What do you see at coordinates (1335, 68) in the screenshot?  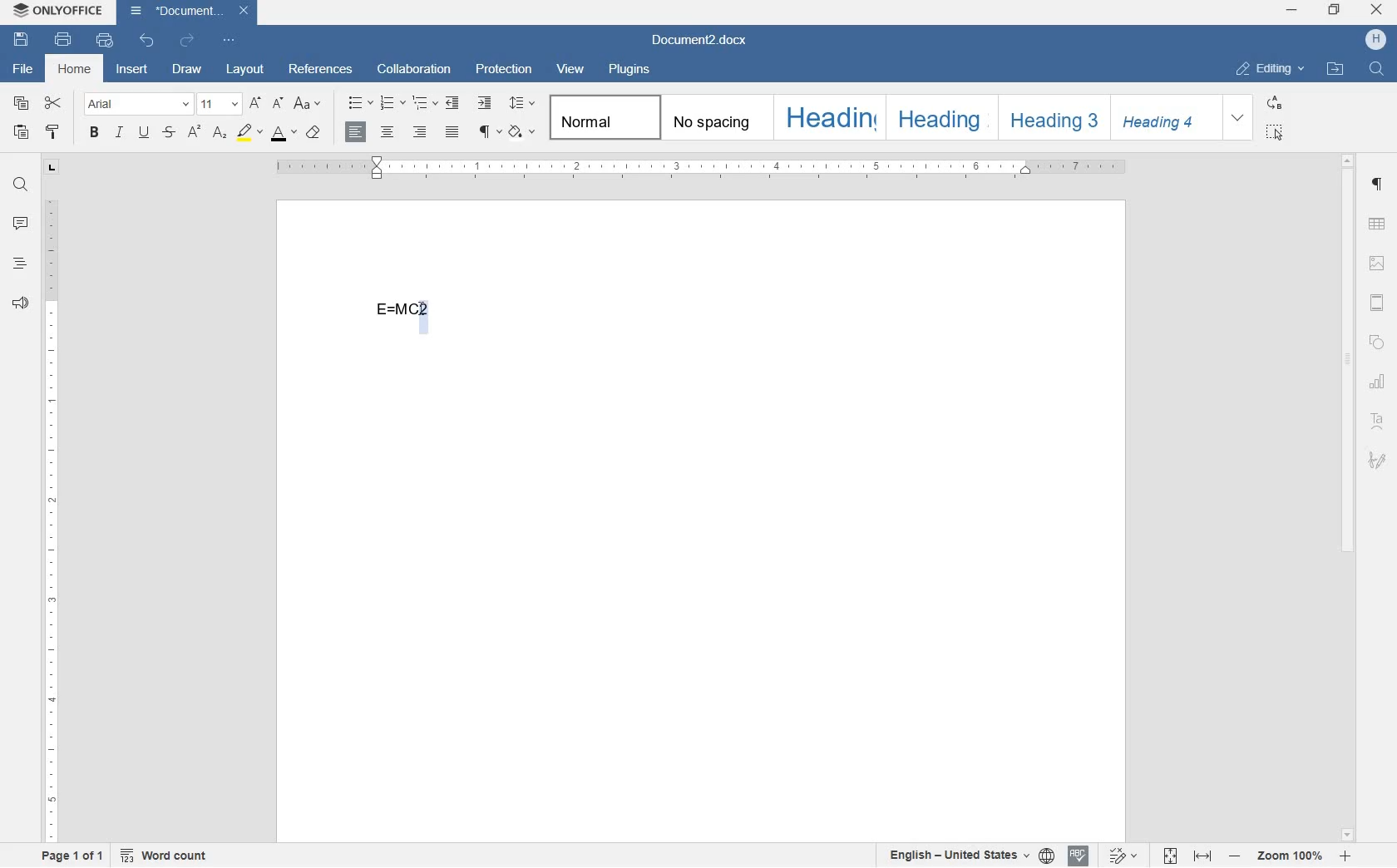 I see `open file location` at bounding box center [1335, 68].